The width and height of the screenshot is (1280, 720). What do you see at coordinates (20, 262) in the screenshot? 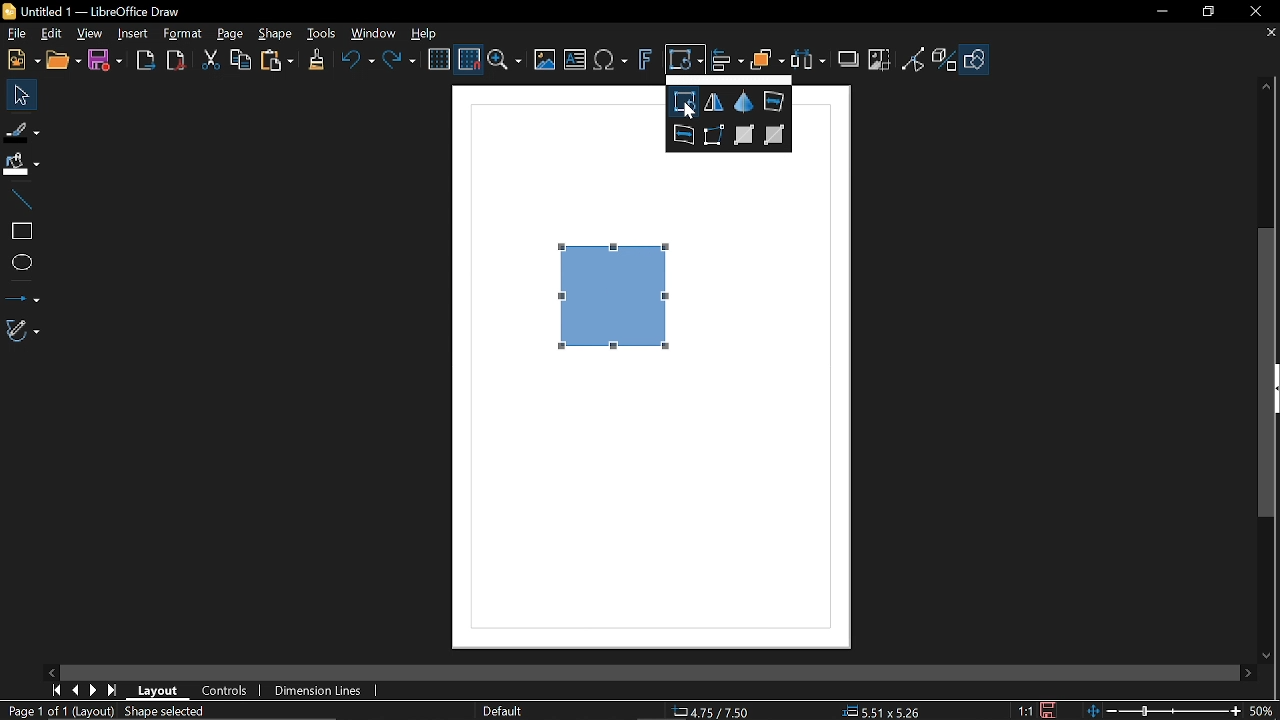
I see `Ellipse` at bounding box center [20, 262].